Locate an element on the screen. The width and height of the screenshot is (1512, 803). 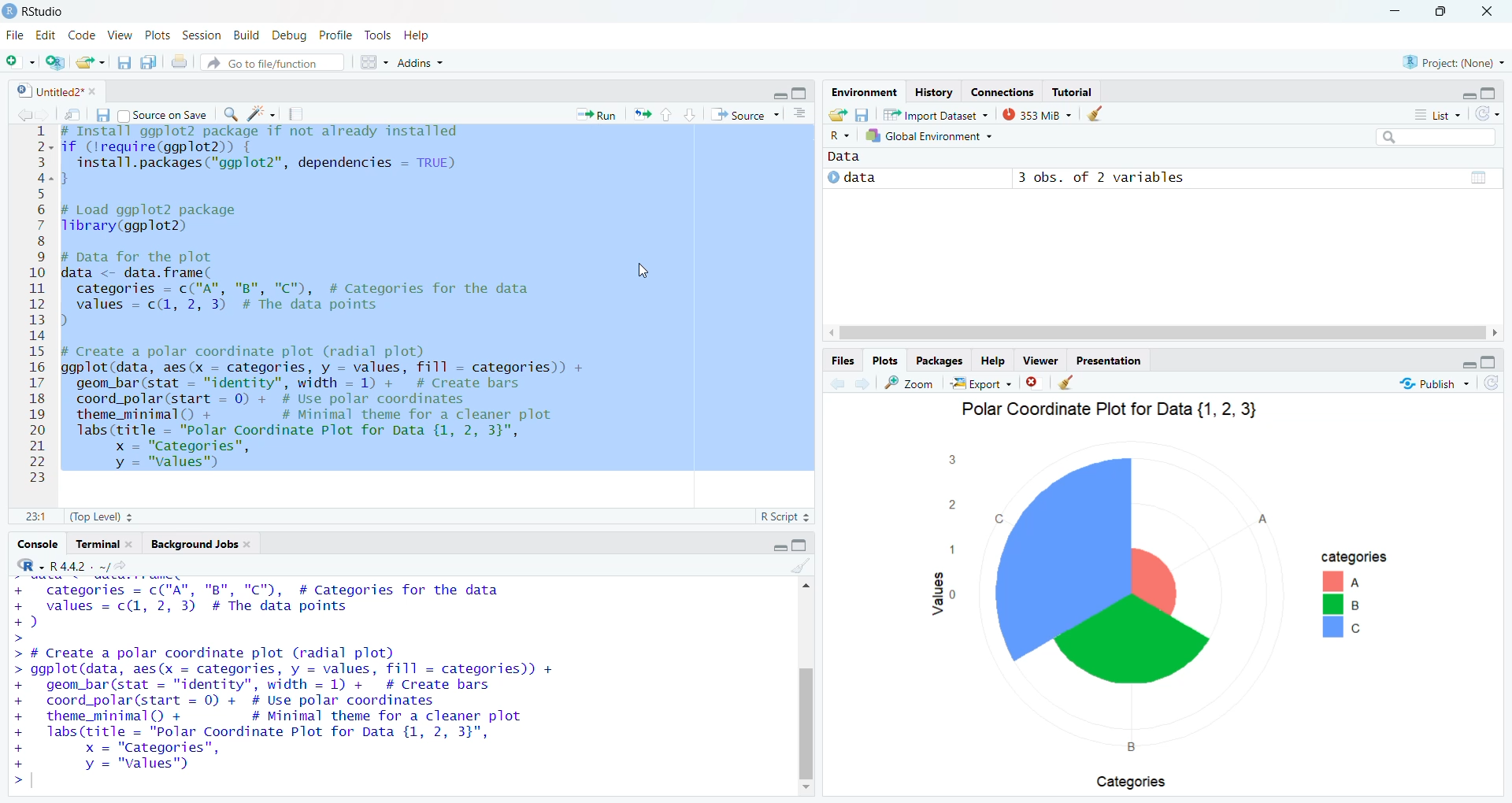
chart is located at coordinates (1119, 603).